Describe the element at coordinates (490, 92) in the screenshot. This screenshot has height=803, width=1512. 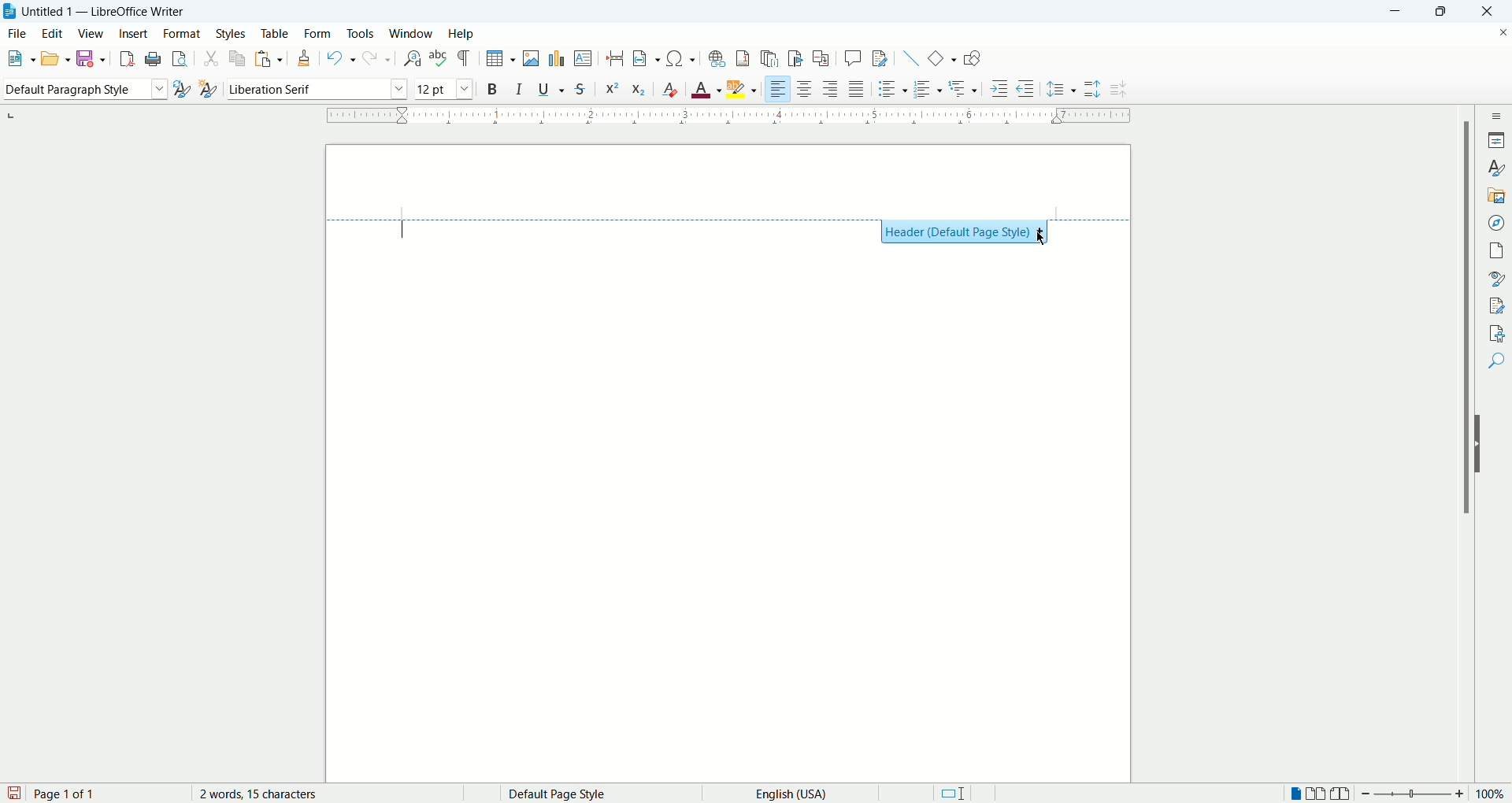
I see `bold` at that location.